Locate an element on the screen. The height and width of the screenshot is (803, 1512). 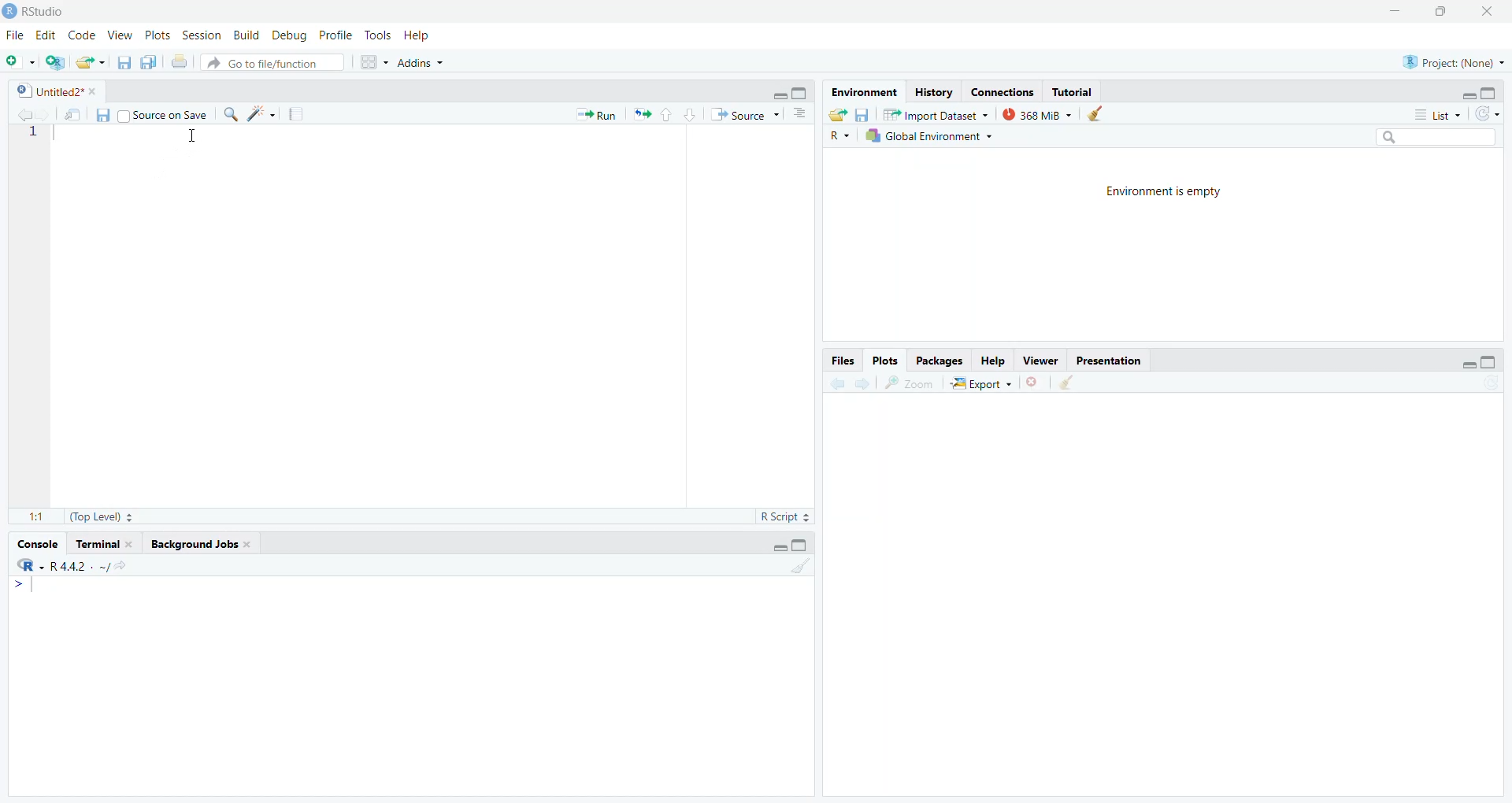
Help is located at coordinates (423, 35).